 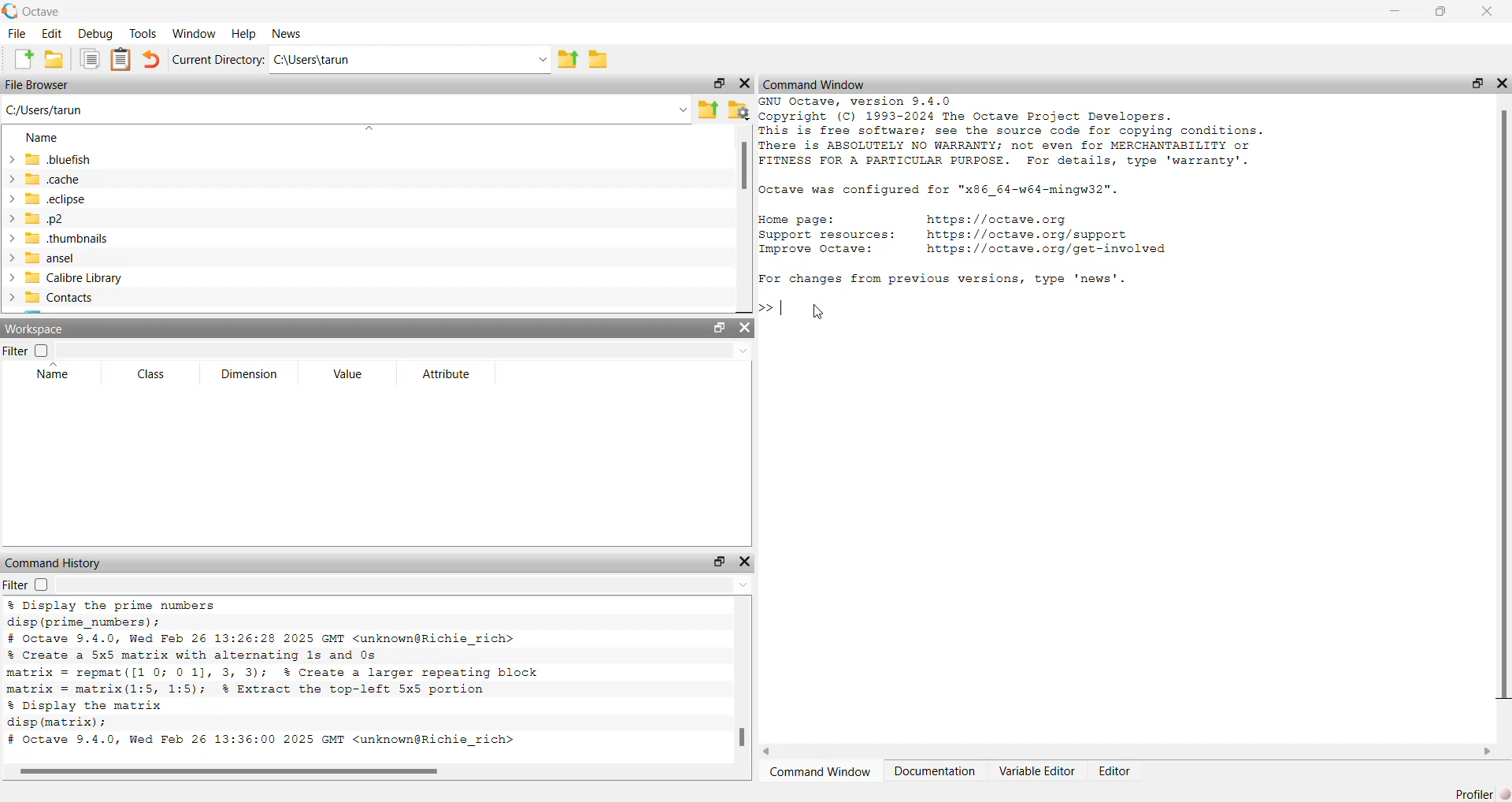 What do you see at coordinates (606, 58) in the screenshot?
I see `browse directories` at bounding box center [606, 58].